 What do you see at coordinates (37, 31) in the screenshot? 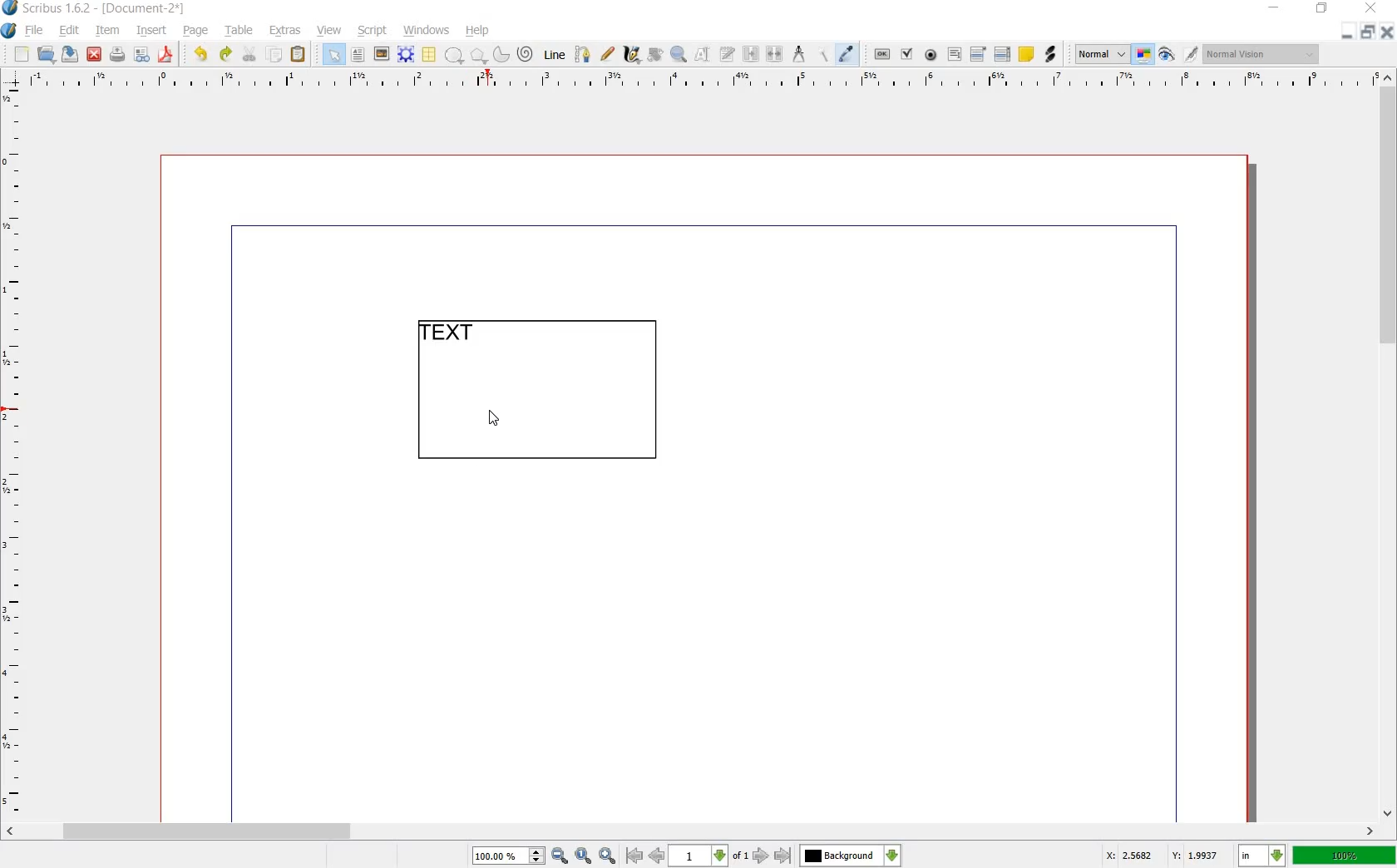
I see `file` at bounding box center [37, 31].